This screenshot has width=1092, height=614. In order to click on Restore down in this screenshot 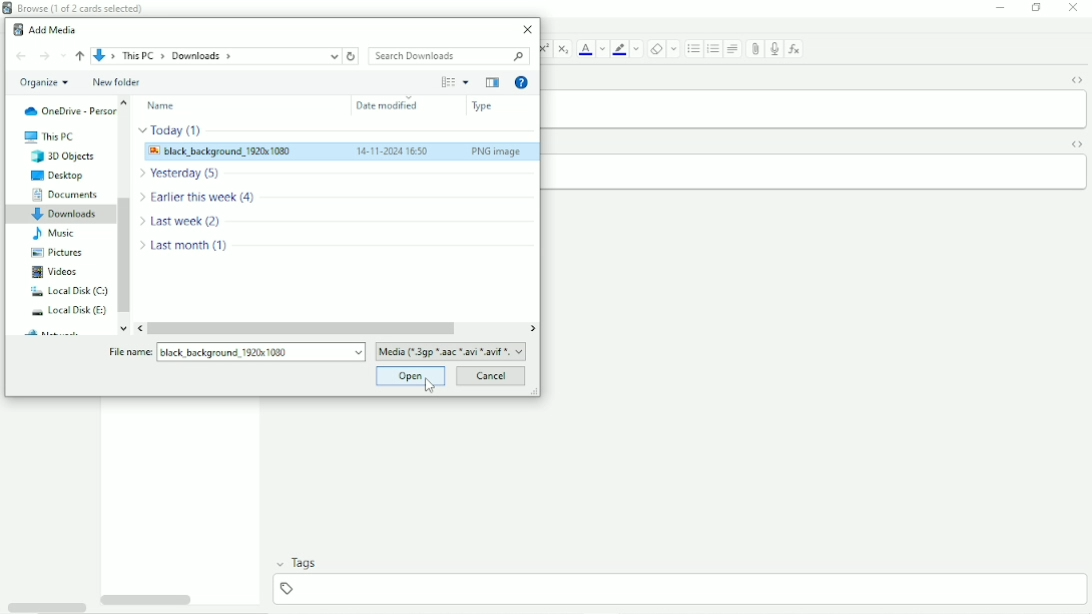, I will do `click(1036, 8)`.